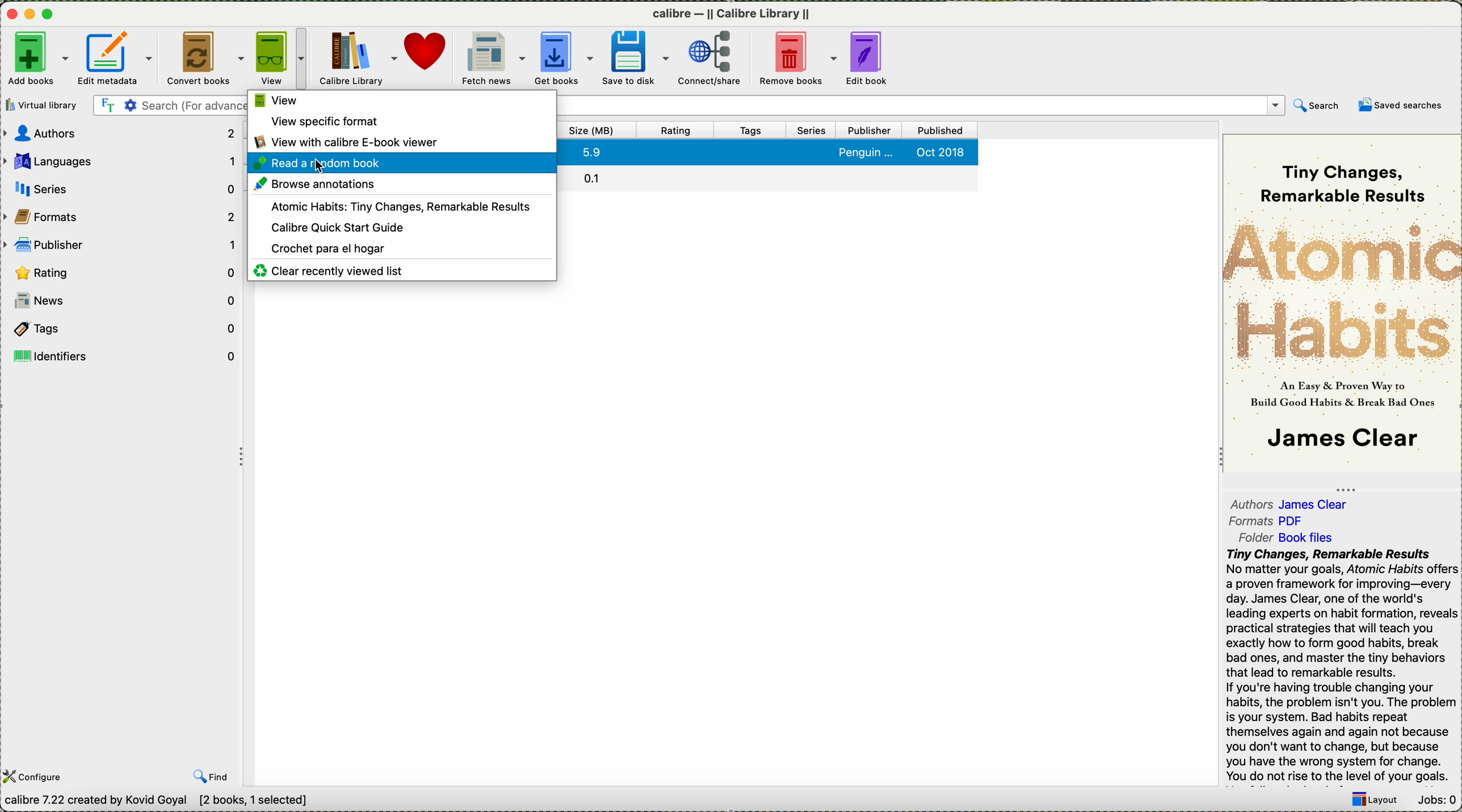 This screenshot has height=812, width=1462. Describe the element at coordinates (323, 168) in the screenshot. I see `cursor` at that location.